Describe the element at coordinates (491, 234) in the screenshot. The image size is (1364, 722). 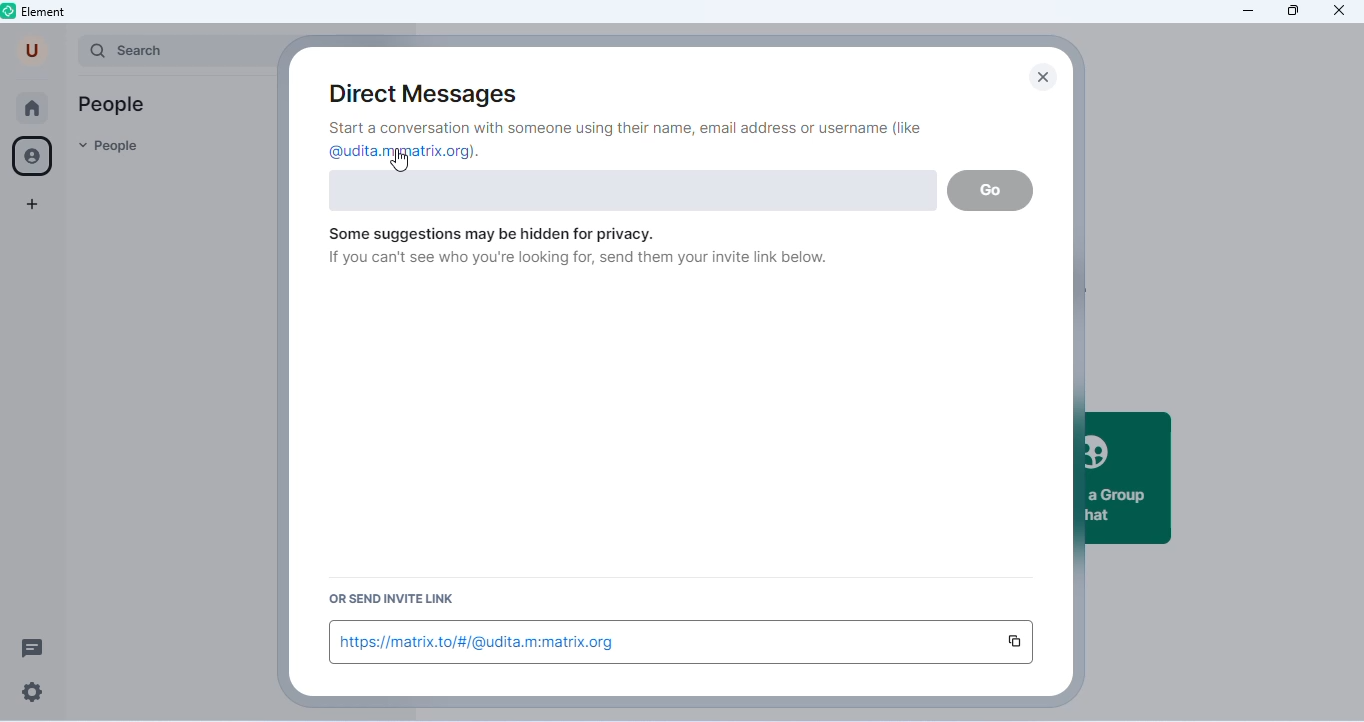
I see `some suggestions may be hidden for privacy.` at that location.